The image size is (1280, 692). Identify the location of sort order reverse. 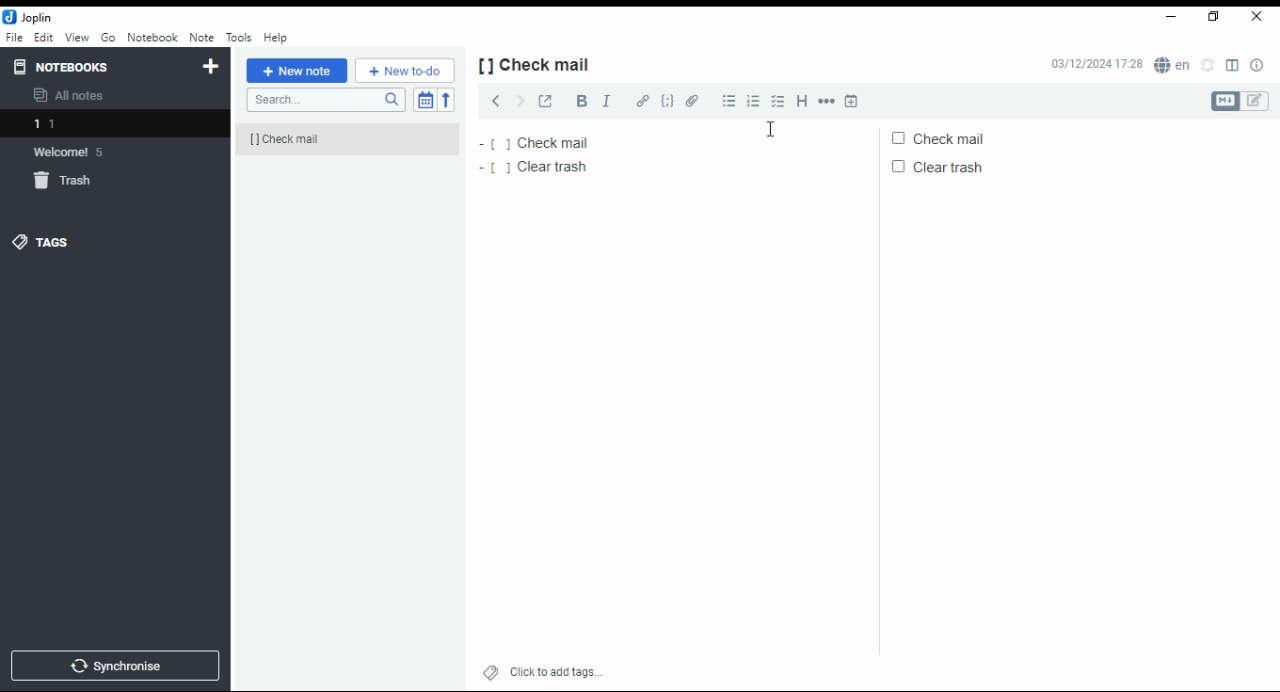
(446, 99).